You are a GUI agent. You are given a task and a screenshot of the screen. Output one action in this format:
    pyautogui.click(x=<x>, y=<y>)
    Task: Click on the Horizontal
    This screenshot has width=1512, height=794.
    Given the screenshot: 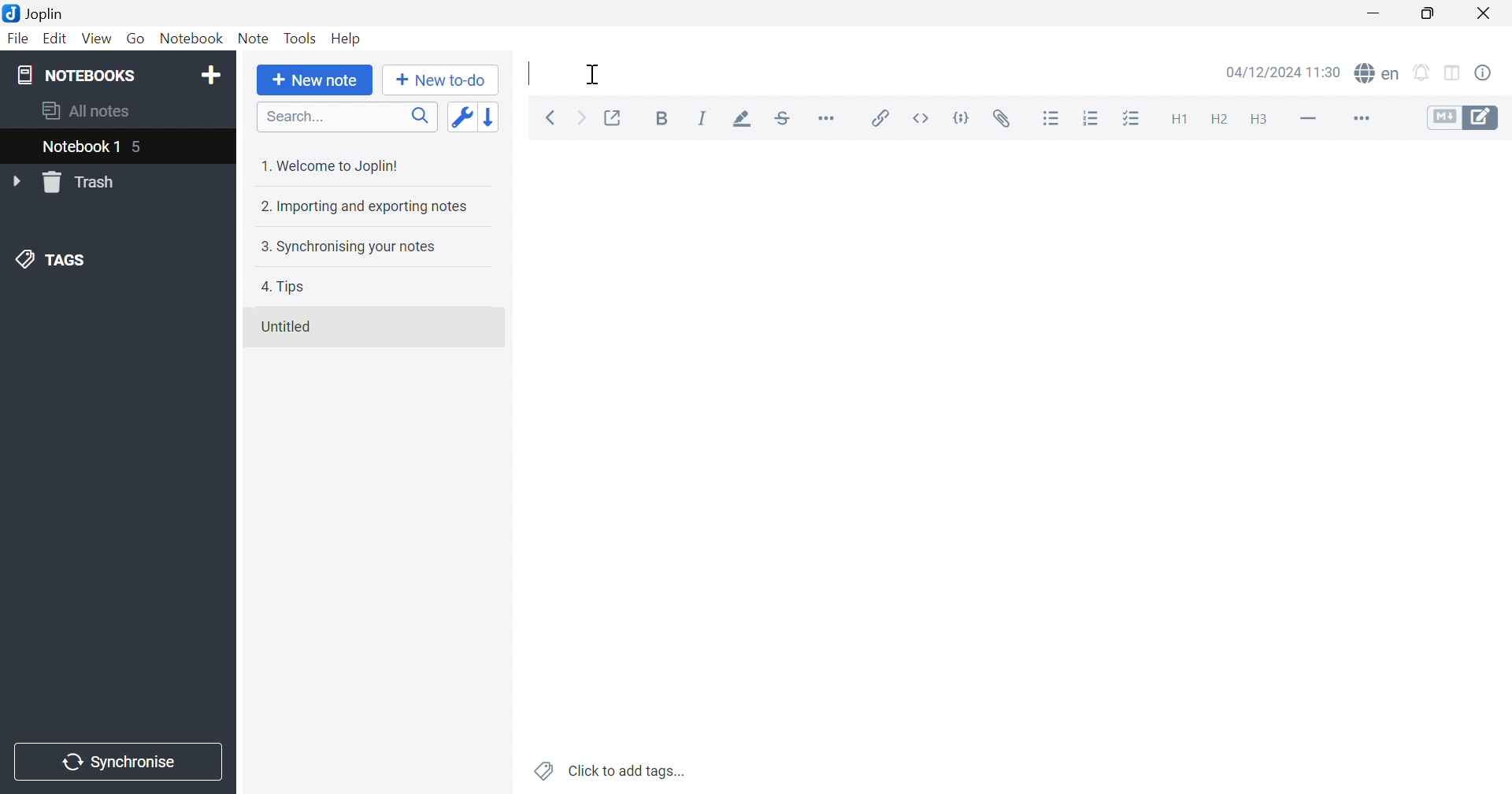 What is the action you would take?
    pyautogui.click(x=828, y=118)
    